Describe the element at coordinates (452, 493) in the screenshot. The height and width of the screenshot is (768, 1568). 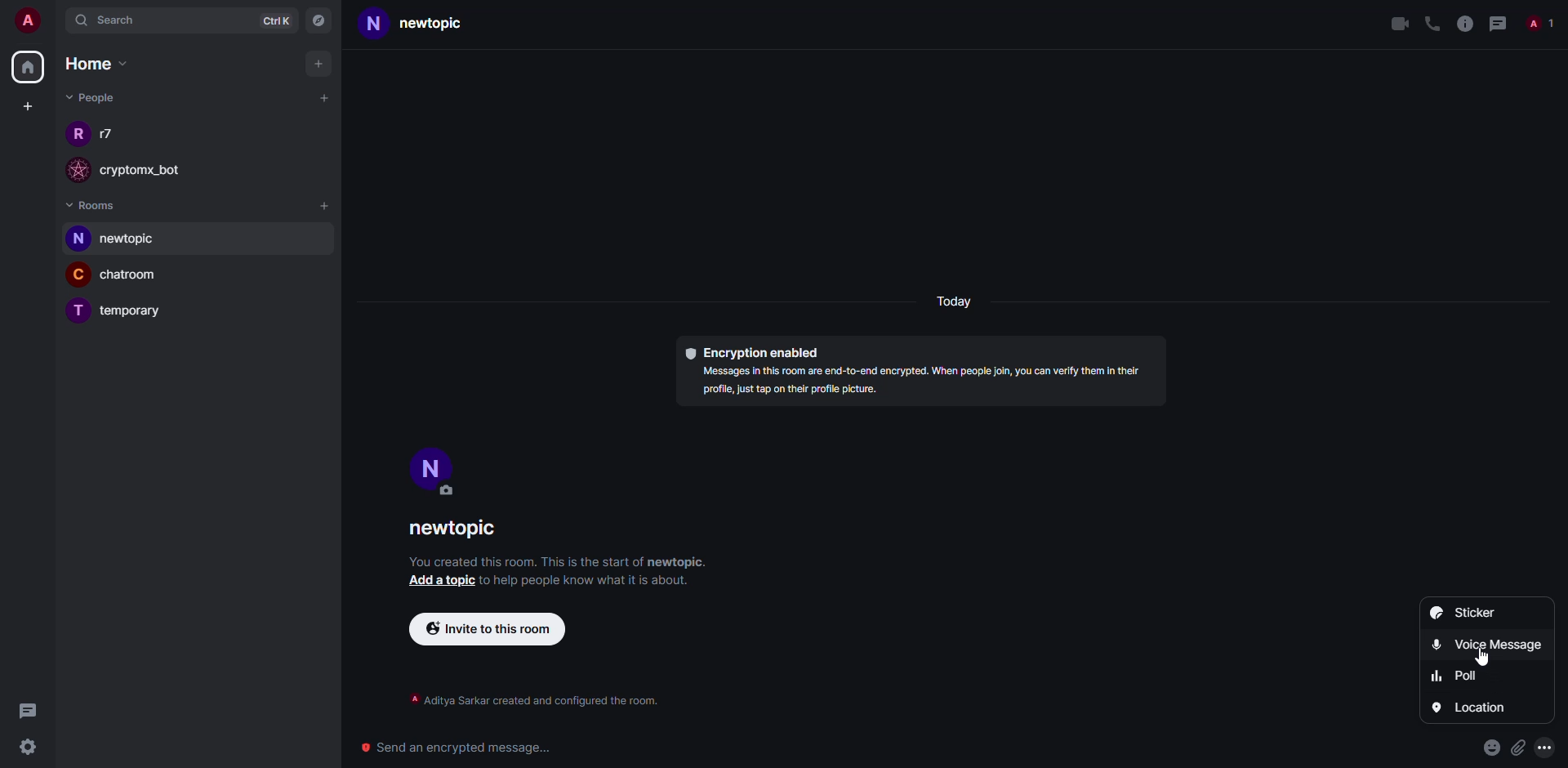
I see `edit profile image` at that location.